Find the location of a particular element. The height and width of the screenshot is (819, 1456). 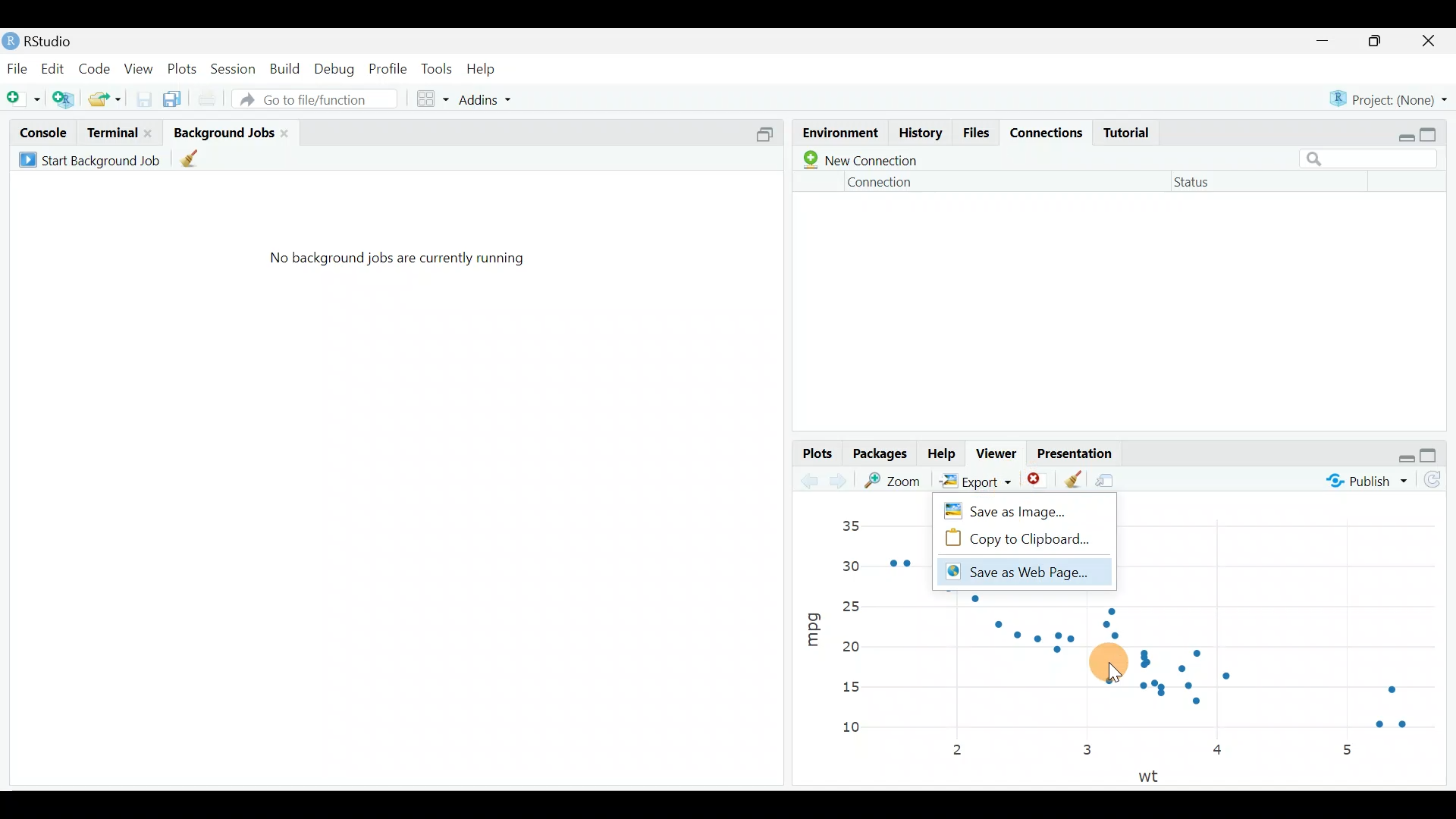

File is located at coordinates (17, 67).